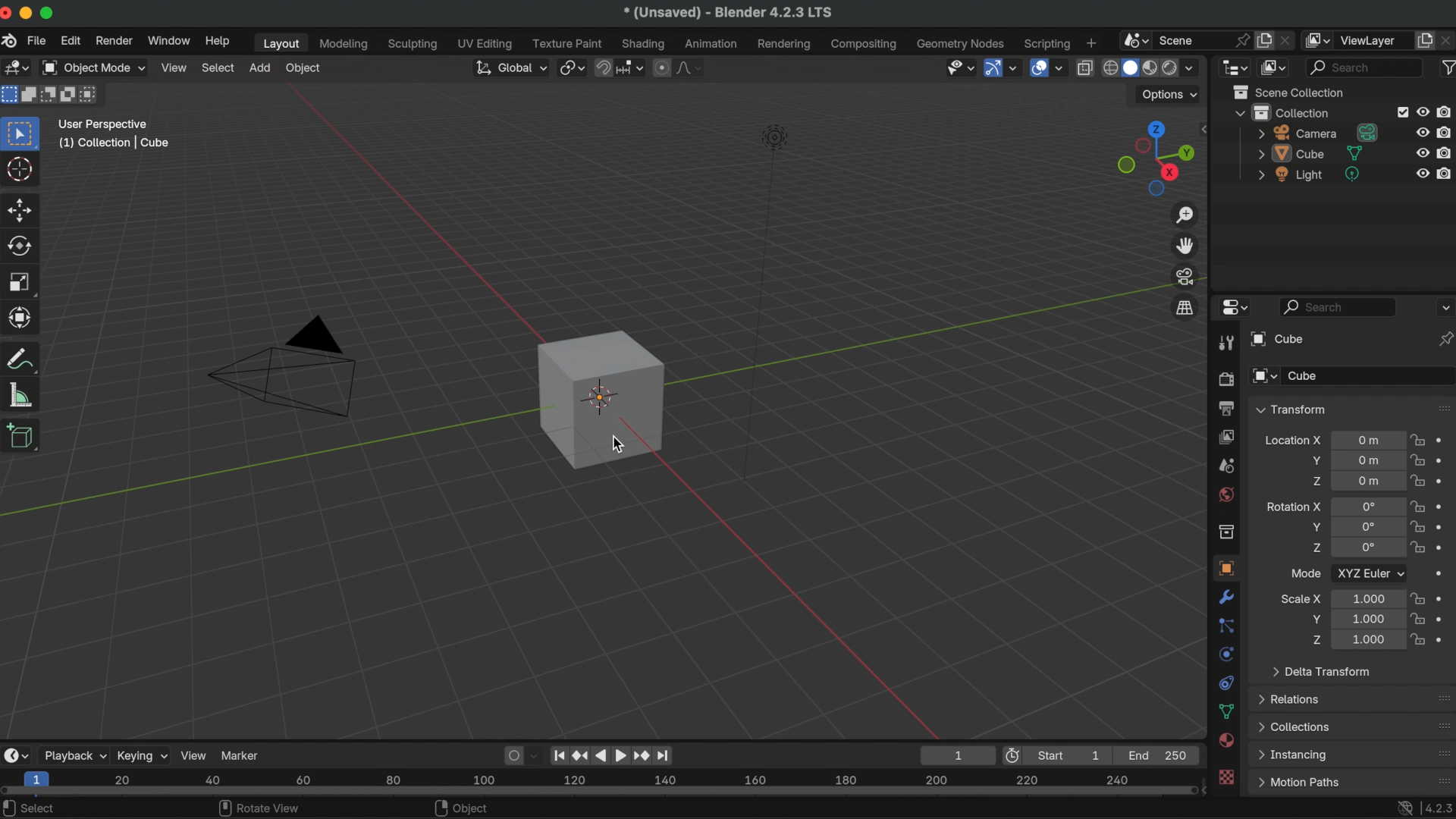  I want to click on transform dropdown, so click(1291, 409).